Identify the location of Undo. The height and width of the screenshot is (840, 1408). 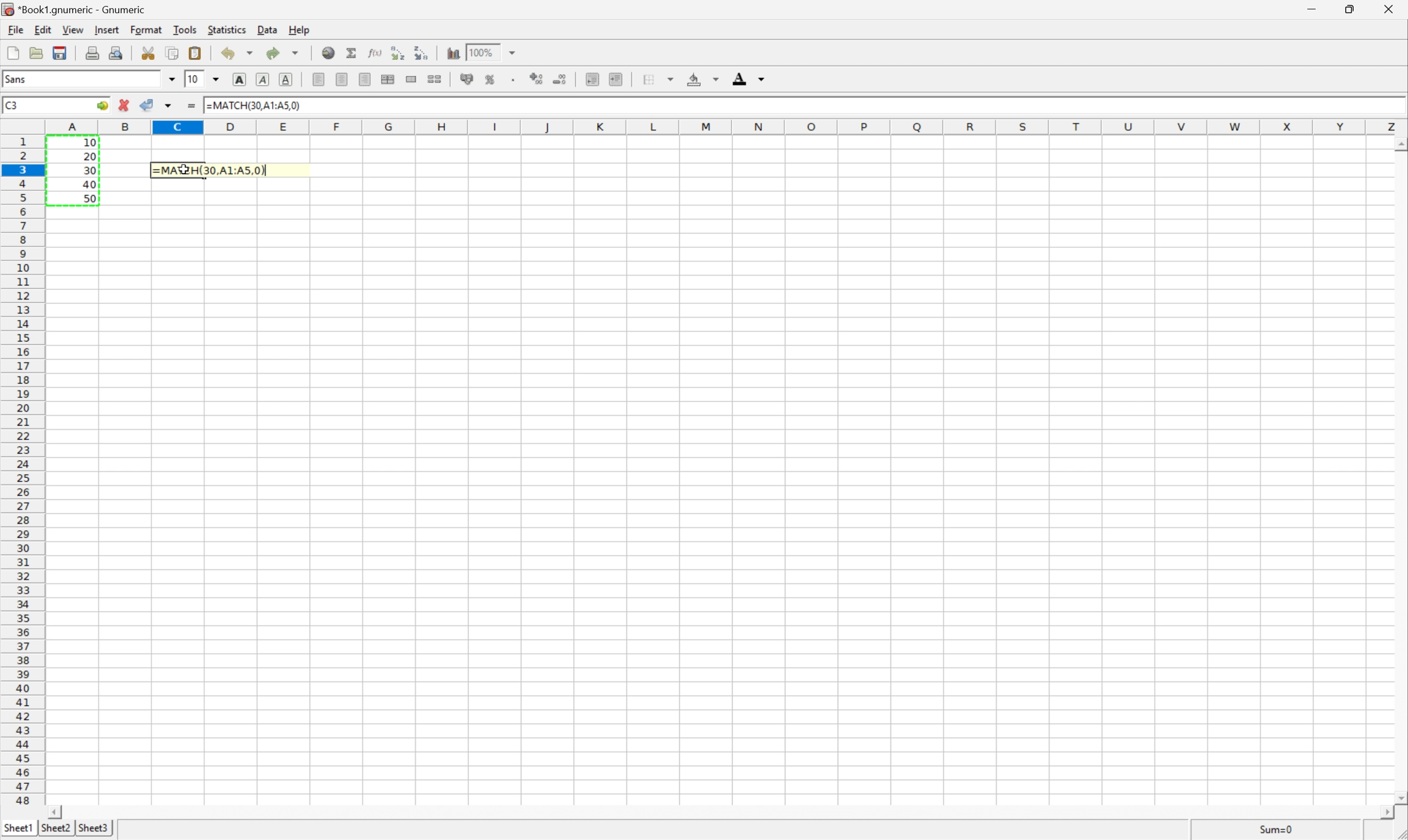
(226, 54).